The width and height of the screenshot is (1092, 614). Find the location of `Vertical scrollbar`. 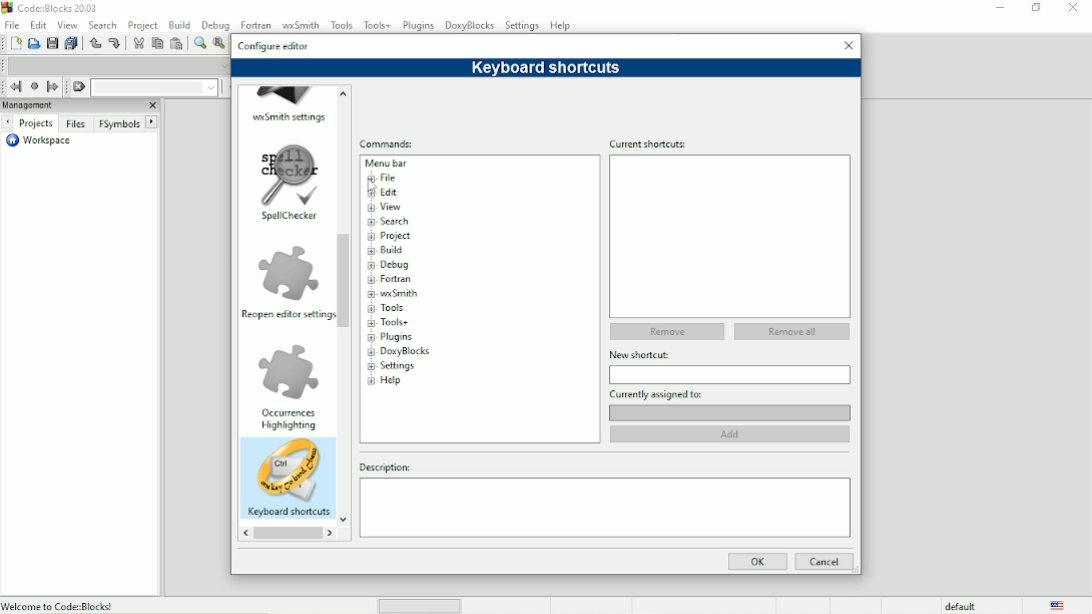

Vertical scrollbar is located at coordinates (345, 281).